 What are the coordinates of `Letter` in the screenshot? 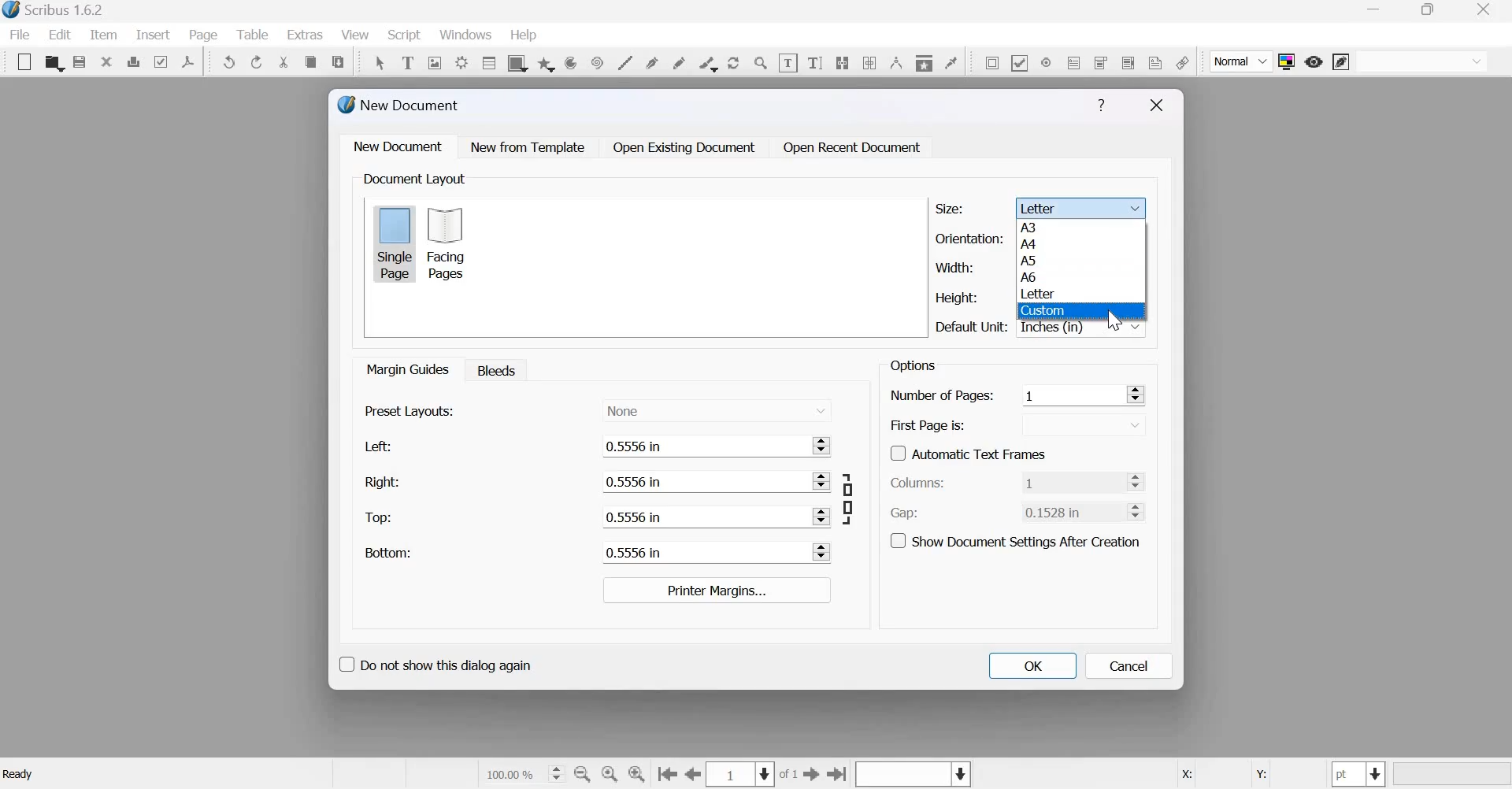 It's located at (1080, 207).